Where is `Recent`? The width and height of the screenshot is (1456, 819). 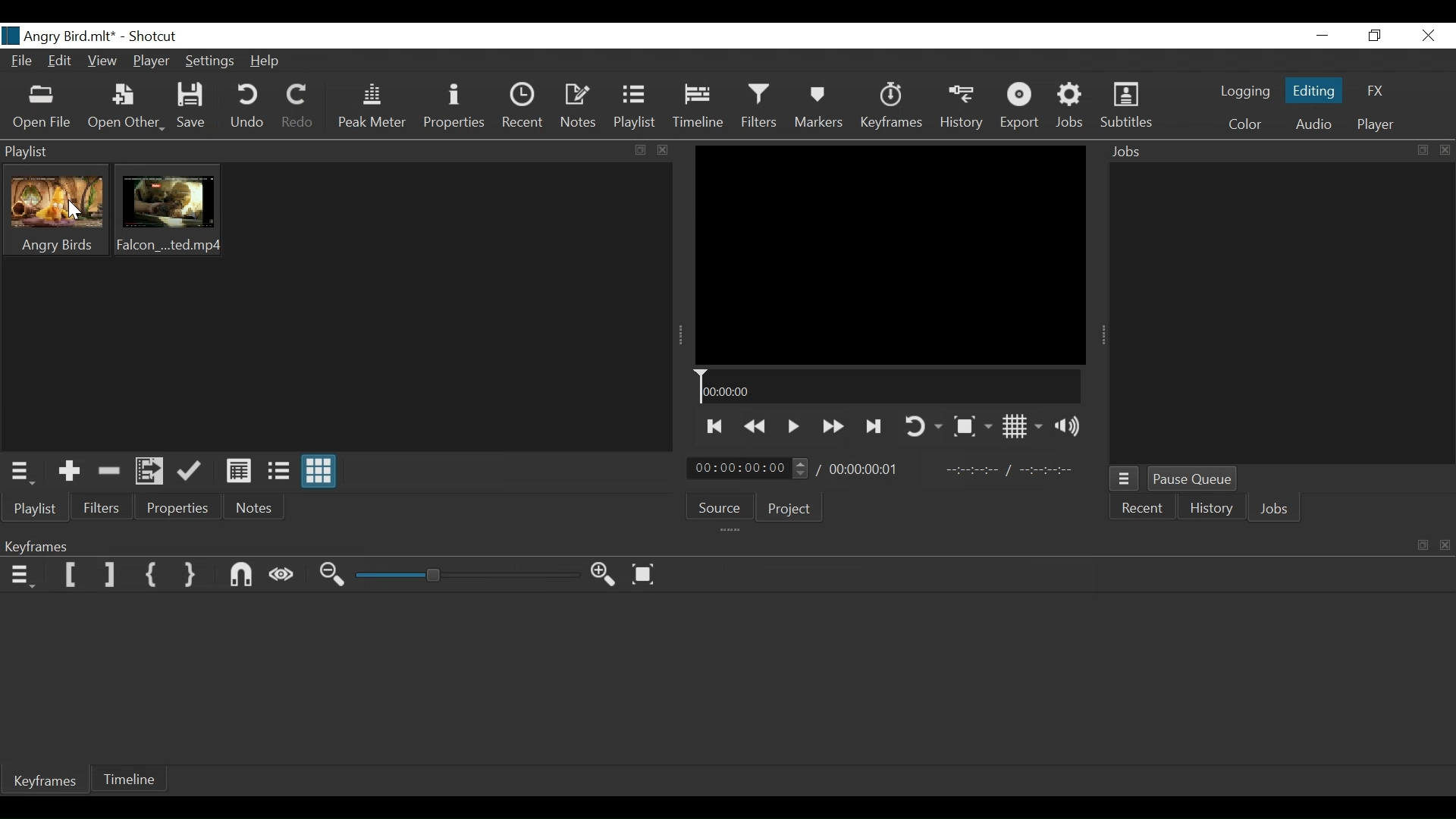
Recent is located at coordinates (521, 107).